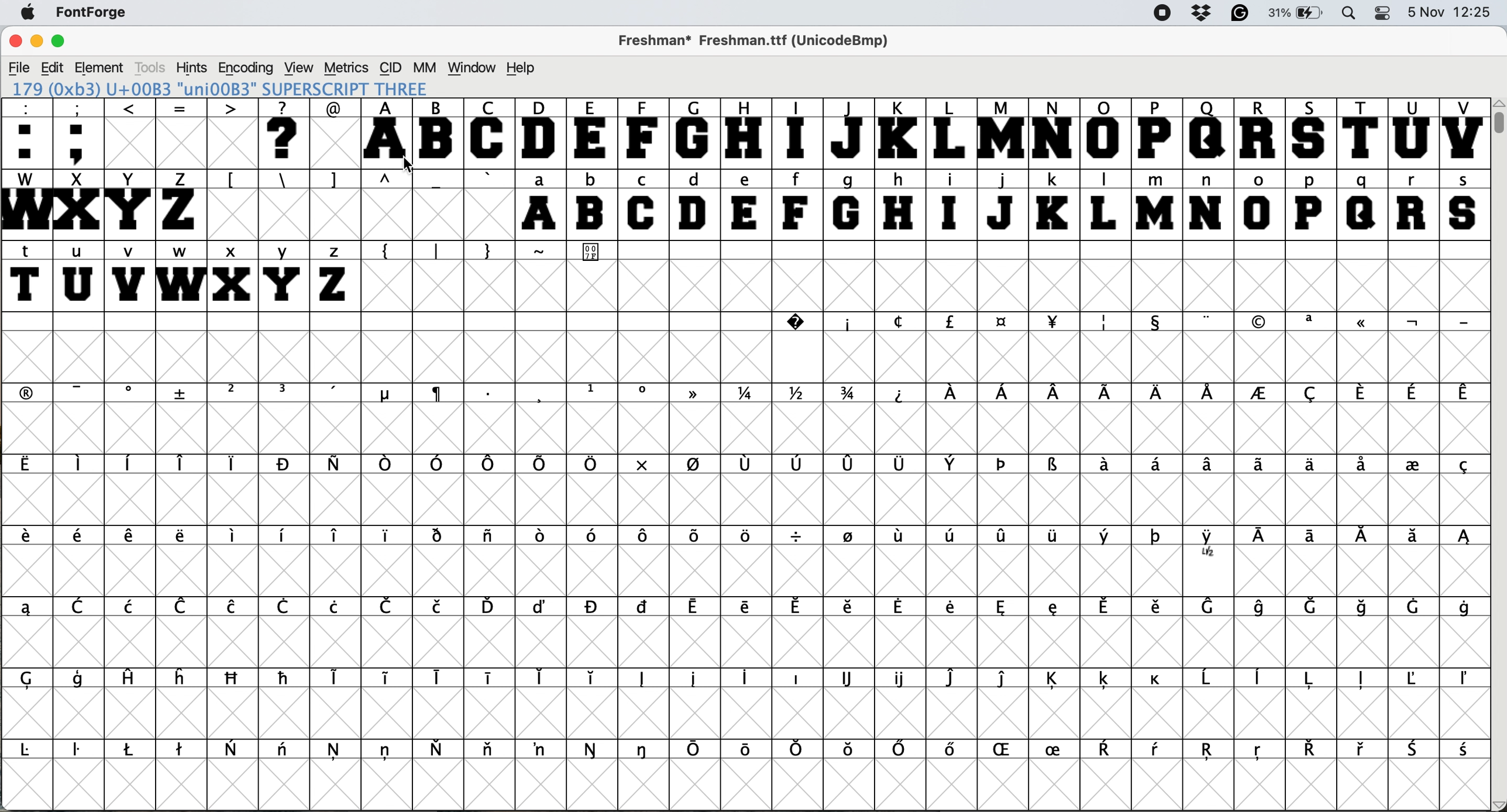  Describe the element at coordinates (1206, 204) in the screenshot. I see `n` at that location.